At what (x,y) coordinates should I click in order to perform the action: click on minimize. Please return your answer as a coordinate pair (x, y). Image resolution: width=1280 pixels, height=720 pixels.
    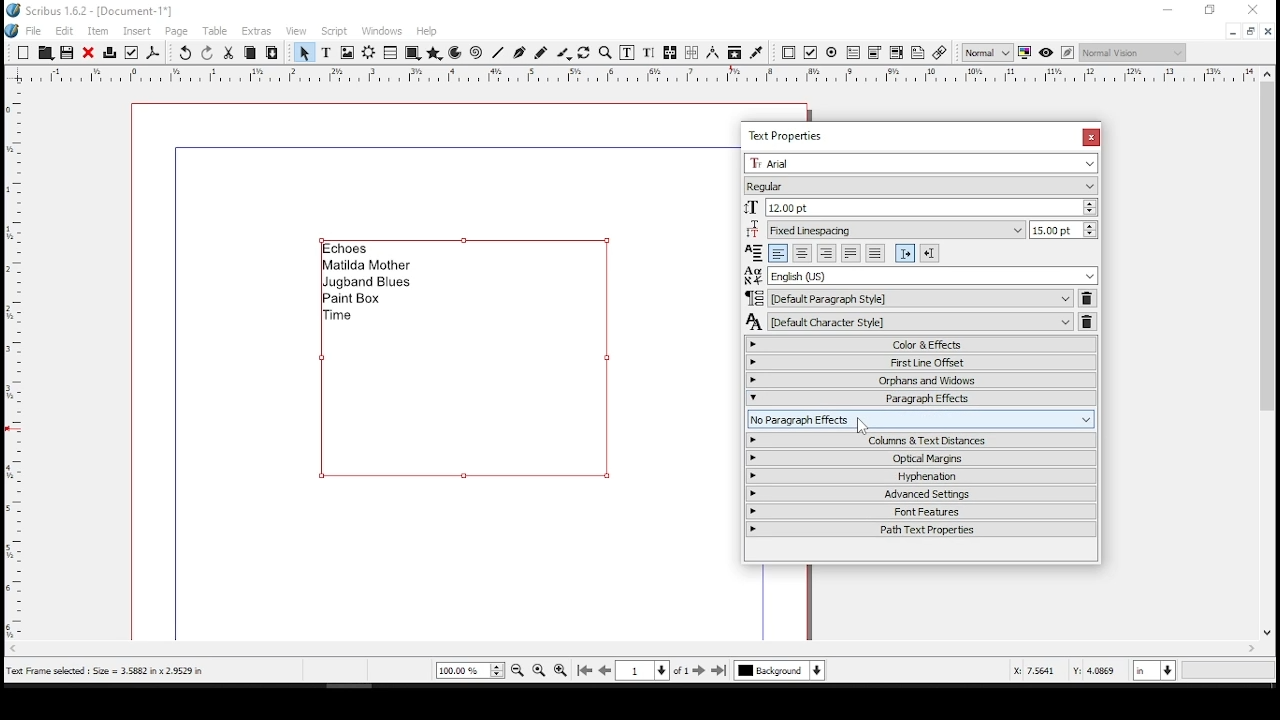
    Looking at the image, I should click on (1169, 10).